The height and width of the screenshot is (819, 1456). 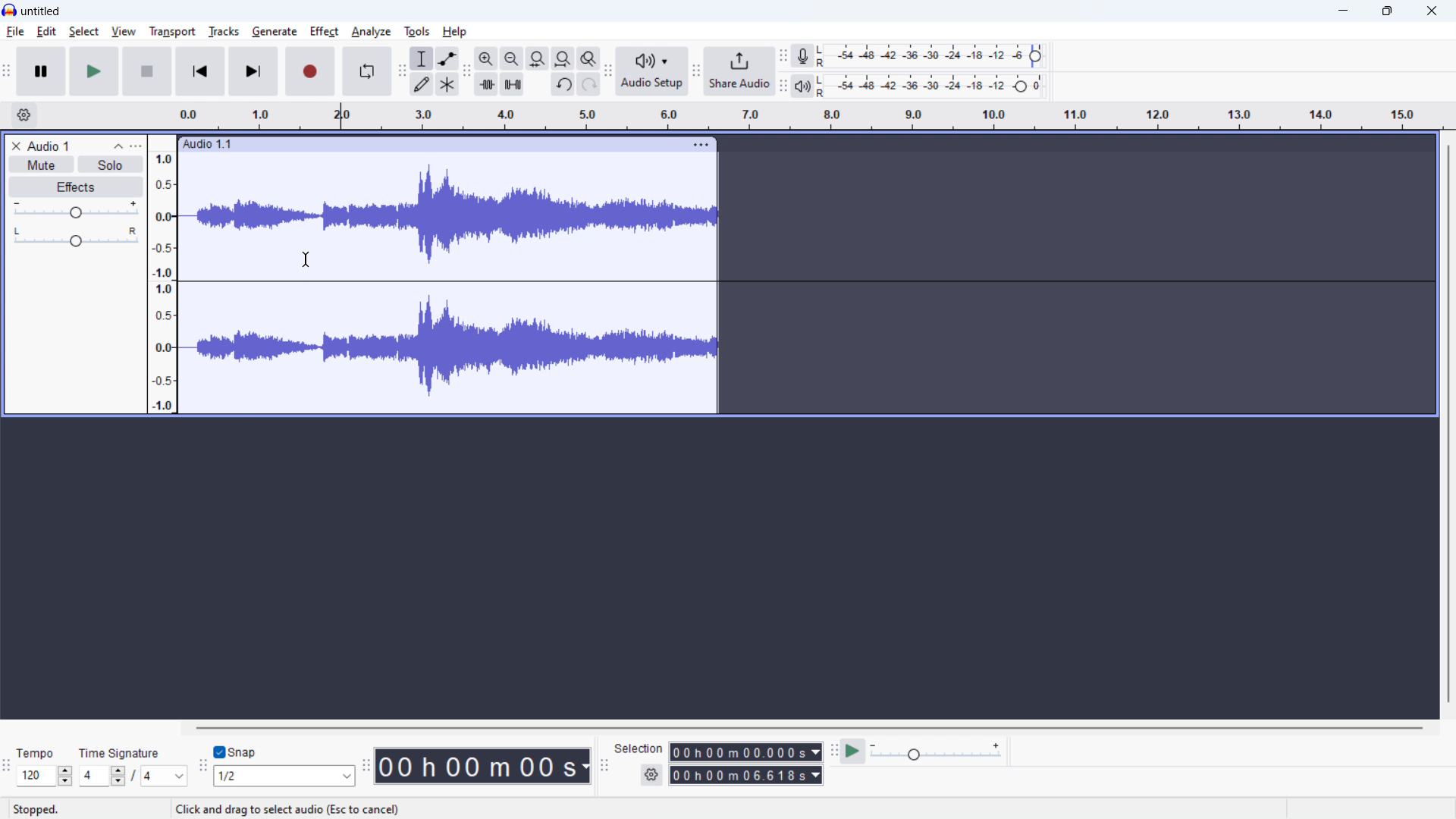 What do you see at coordinates (236, 752) in the screenshot?
I see `toggle snap` at bounding box center [236, 752].